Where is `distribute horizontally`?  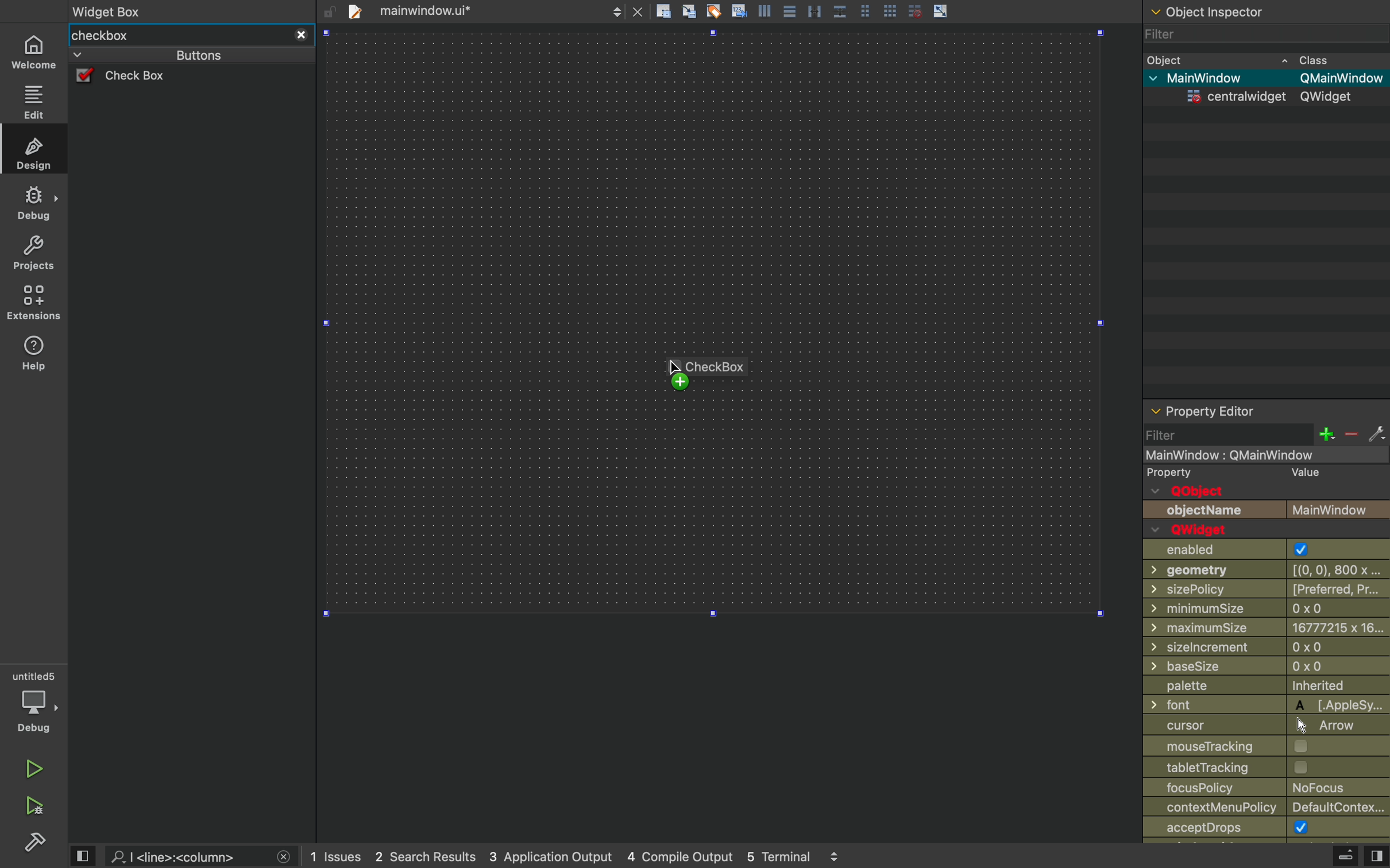 distribute horizontally is located at coordinates (813, 10).